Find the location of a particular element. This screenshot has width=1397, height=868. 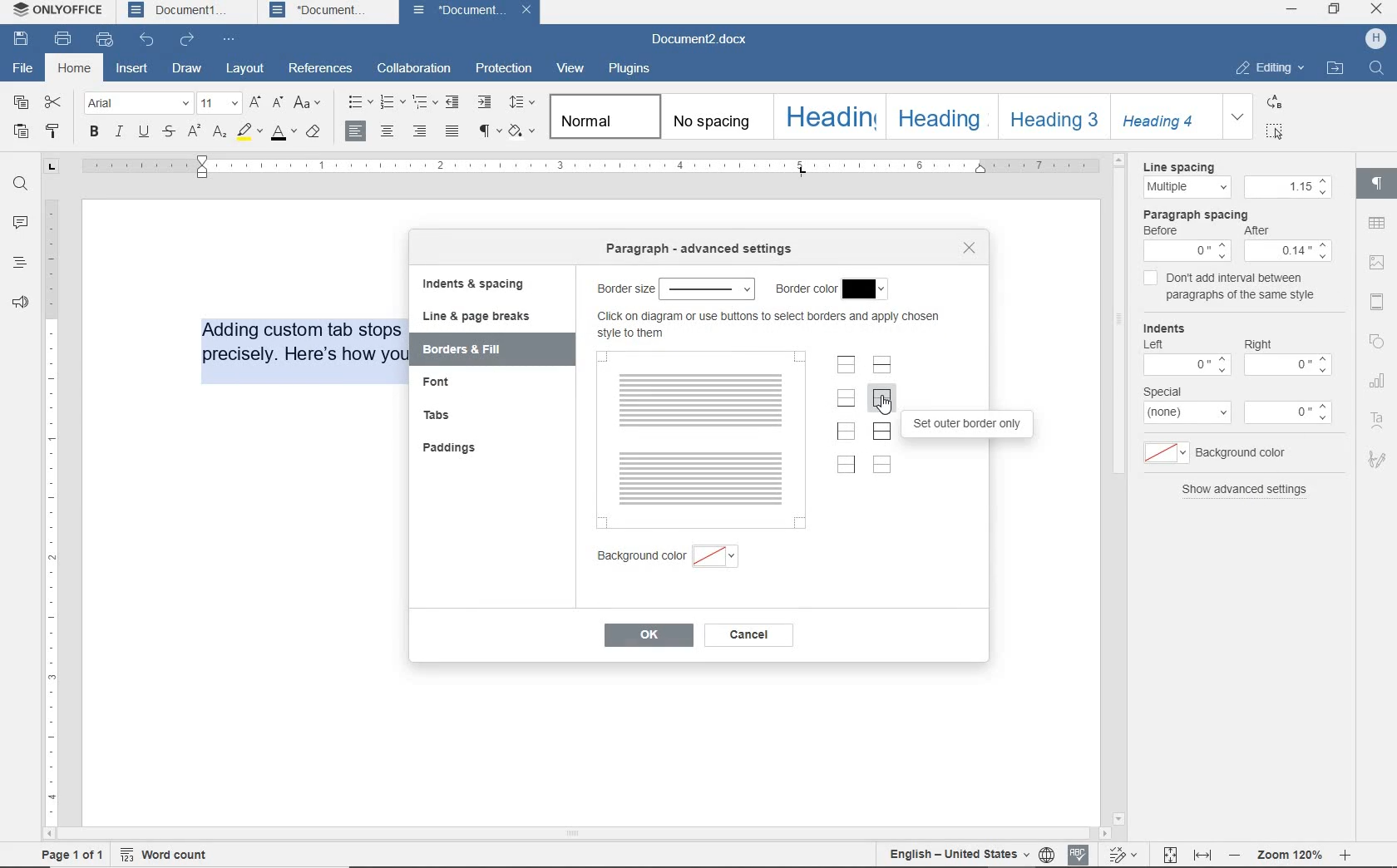

minimize is located at coordinates (1291, 8).